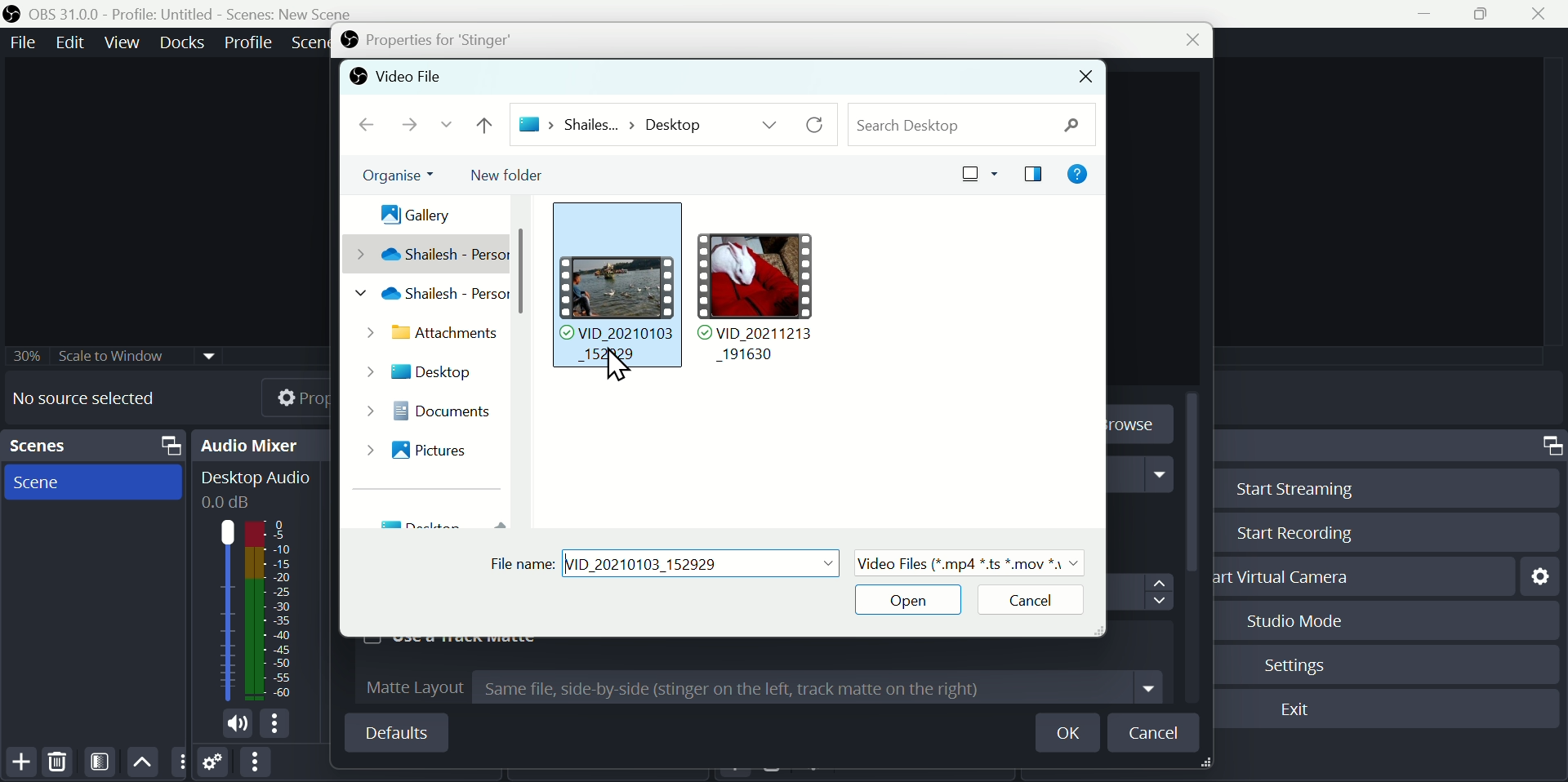 The height and width of the screenshot is (782, 1568). Describe the element at coordinates (185, 13) in the screenshot. I see `OBS 31.0.0 - Profile: untitled scenes: new scene` at that location.